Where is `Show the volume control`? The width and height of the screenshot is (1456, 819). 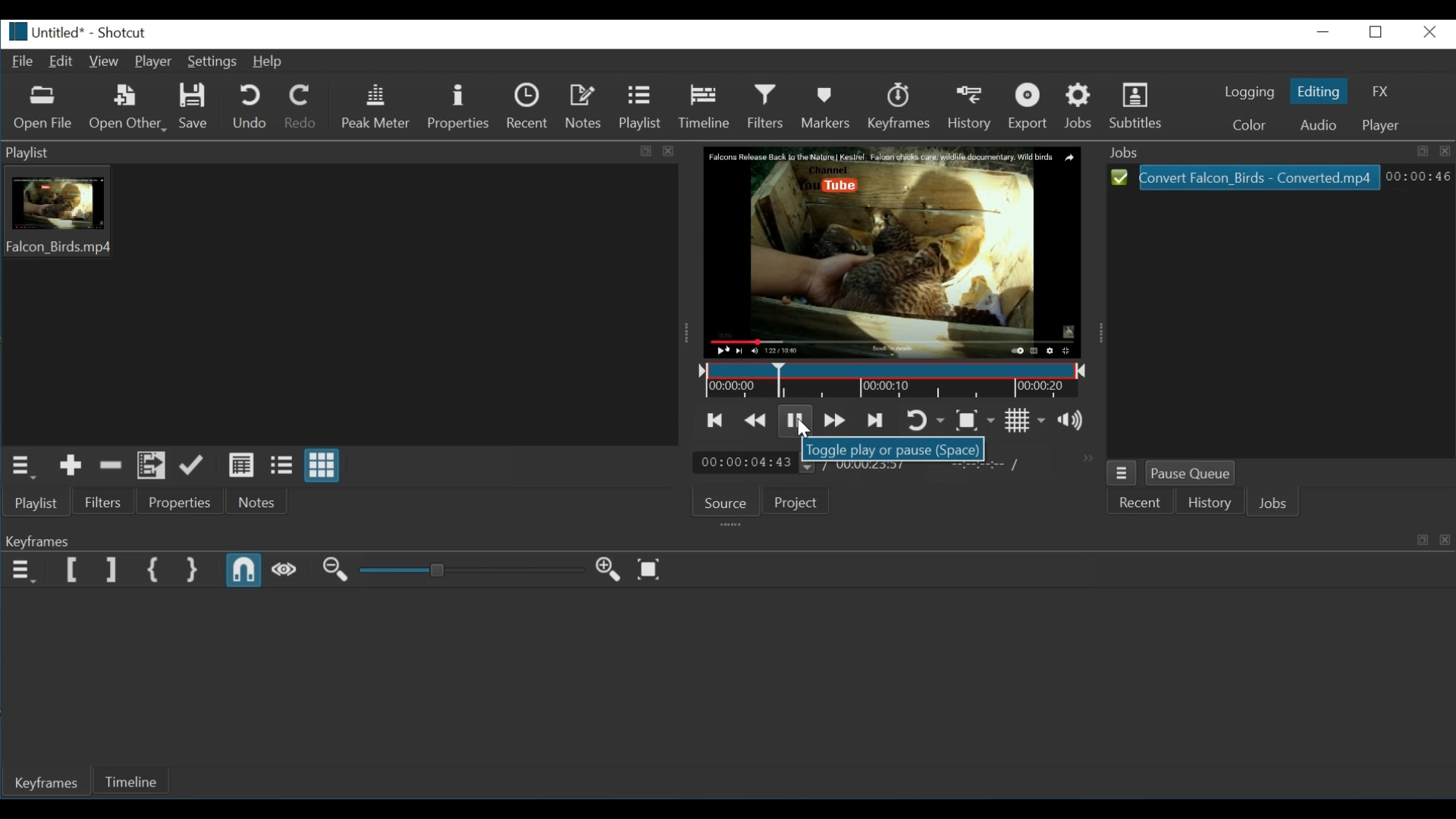
Show the volume control is located at coordinates (1072, 419).